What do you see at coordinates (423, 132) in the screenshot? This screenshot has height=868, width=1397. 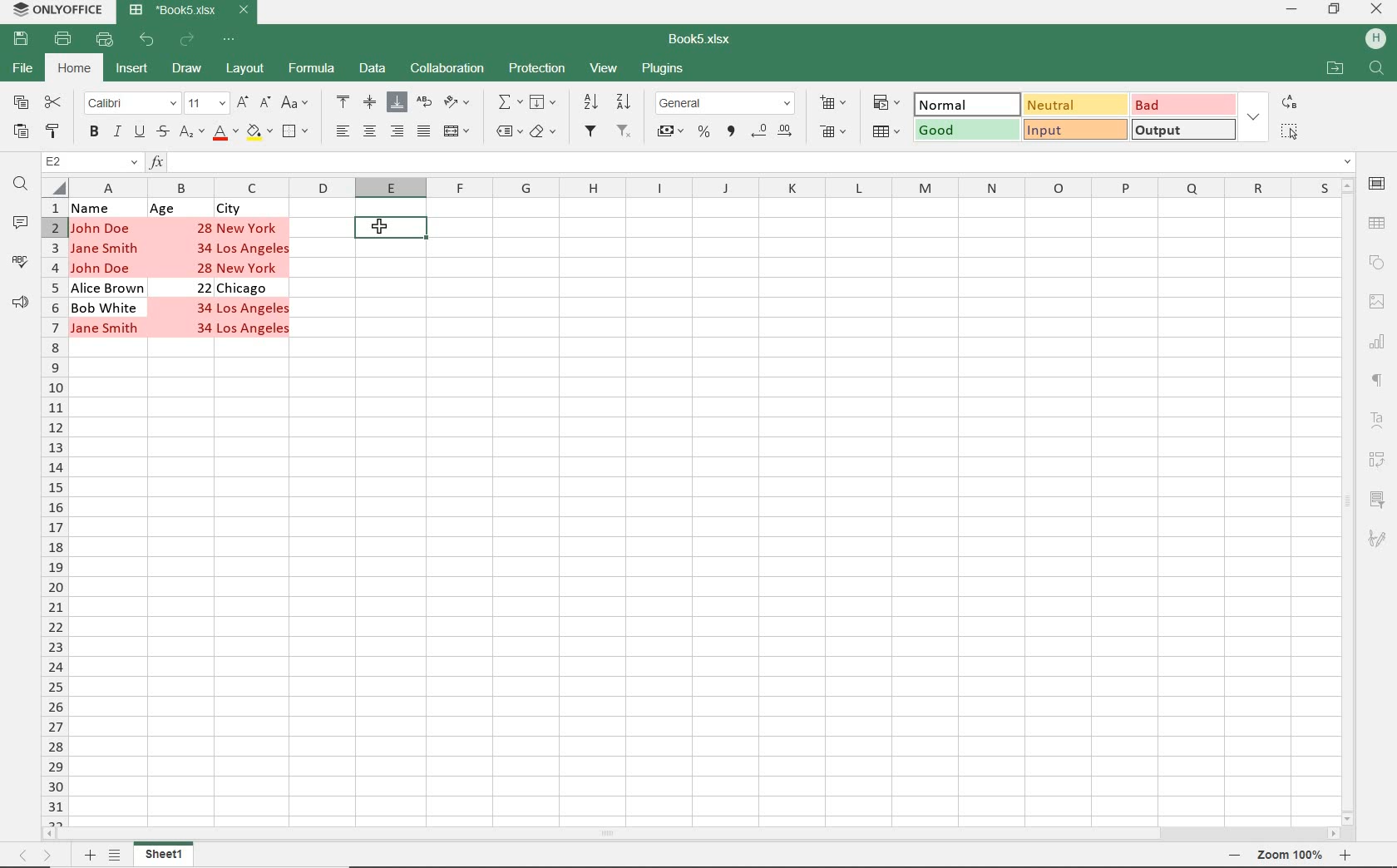 I see `JUSTIFIED` at bounding box center [423, 132].